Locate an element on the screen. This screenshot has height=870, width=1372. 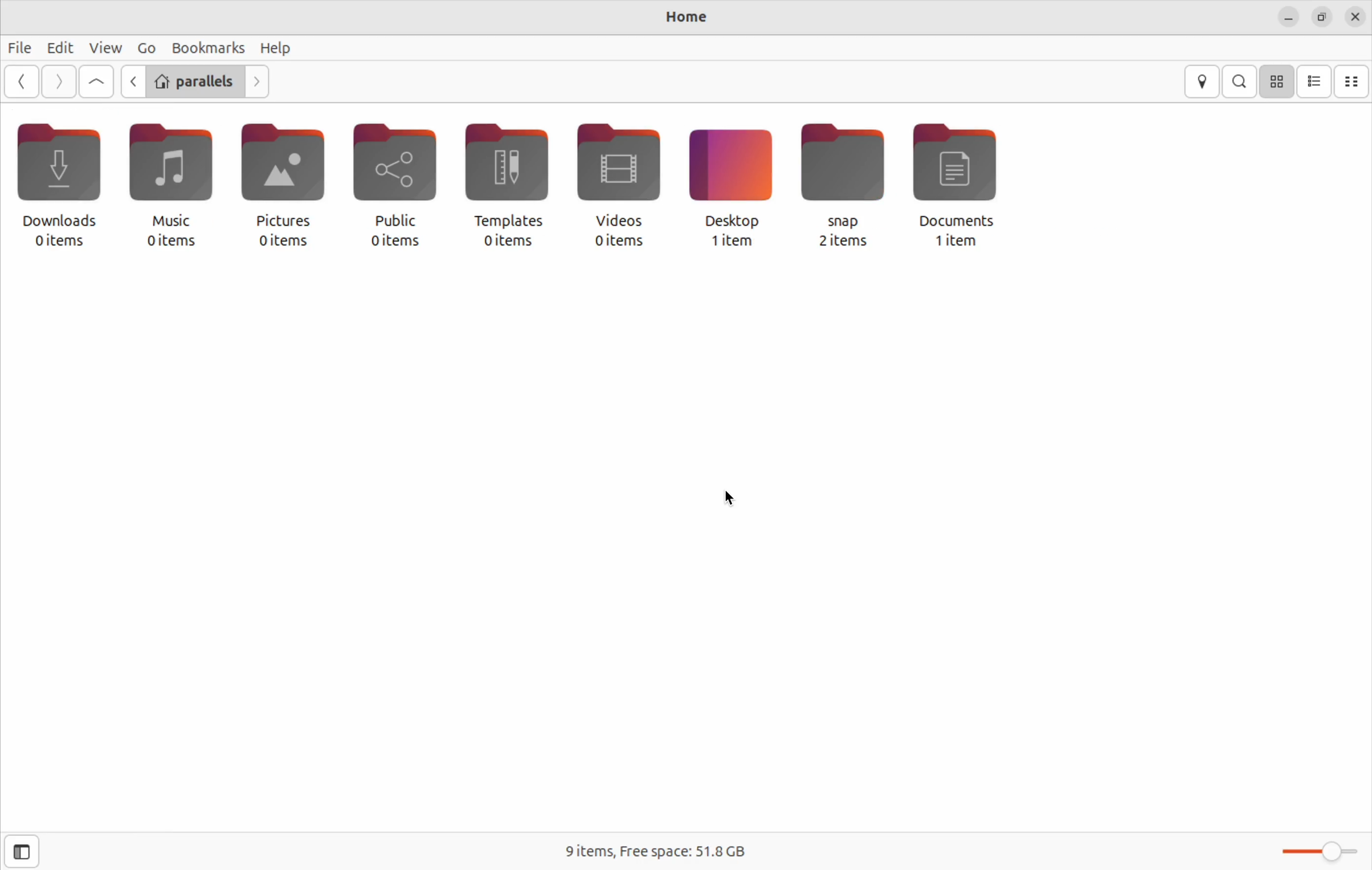
pictures 0 items is located at coordinates (292, 181).